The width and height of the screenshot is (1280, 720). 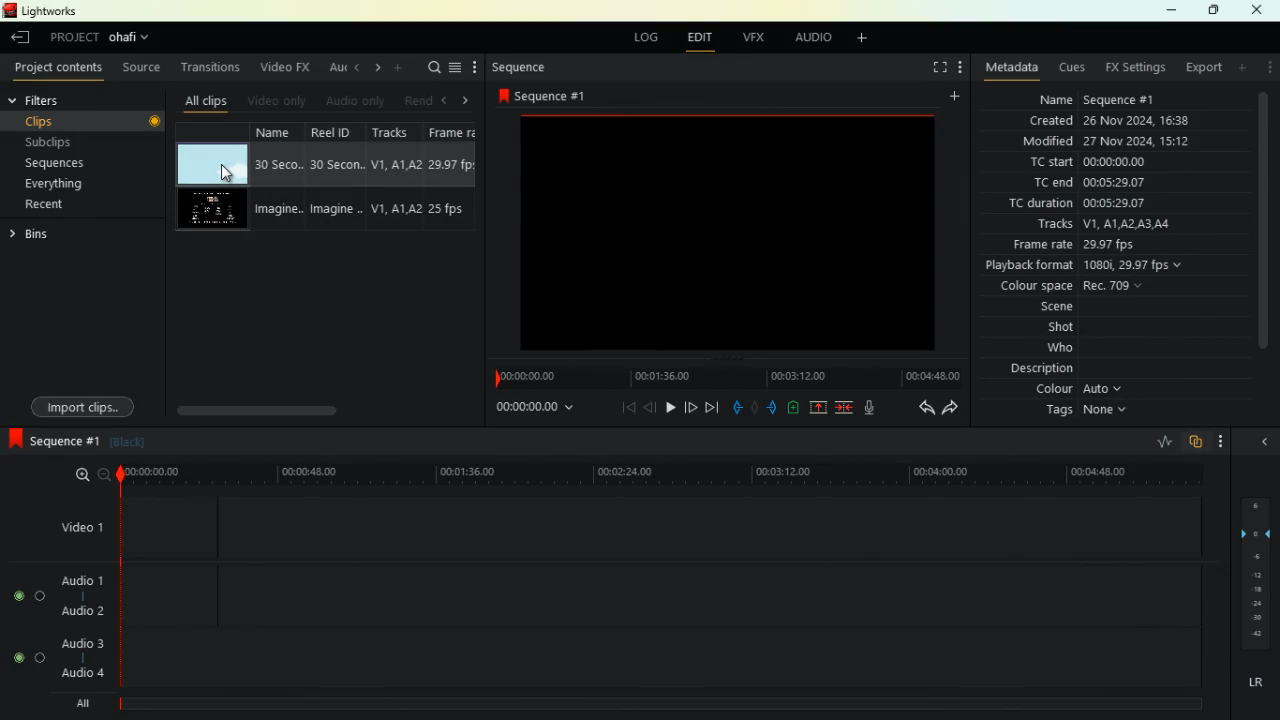 I want to click on overlap, so click(x=1198, y=440).